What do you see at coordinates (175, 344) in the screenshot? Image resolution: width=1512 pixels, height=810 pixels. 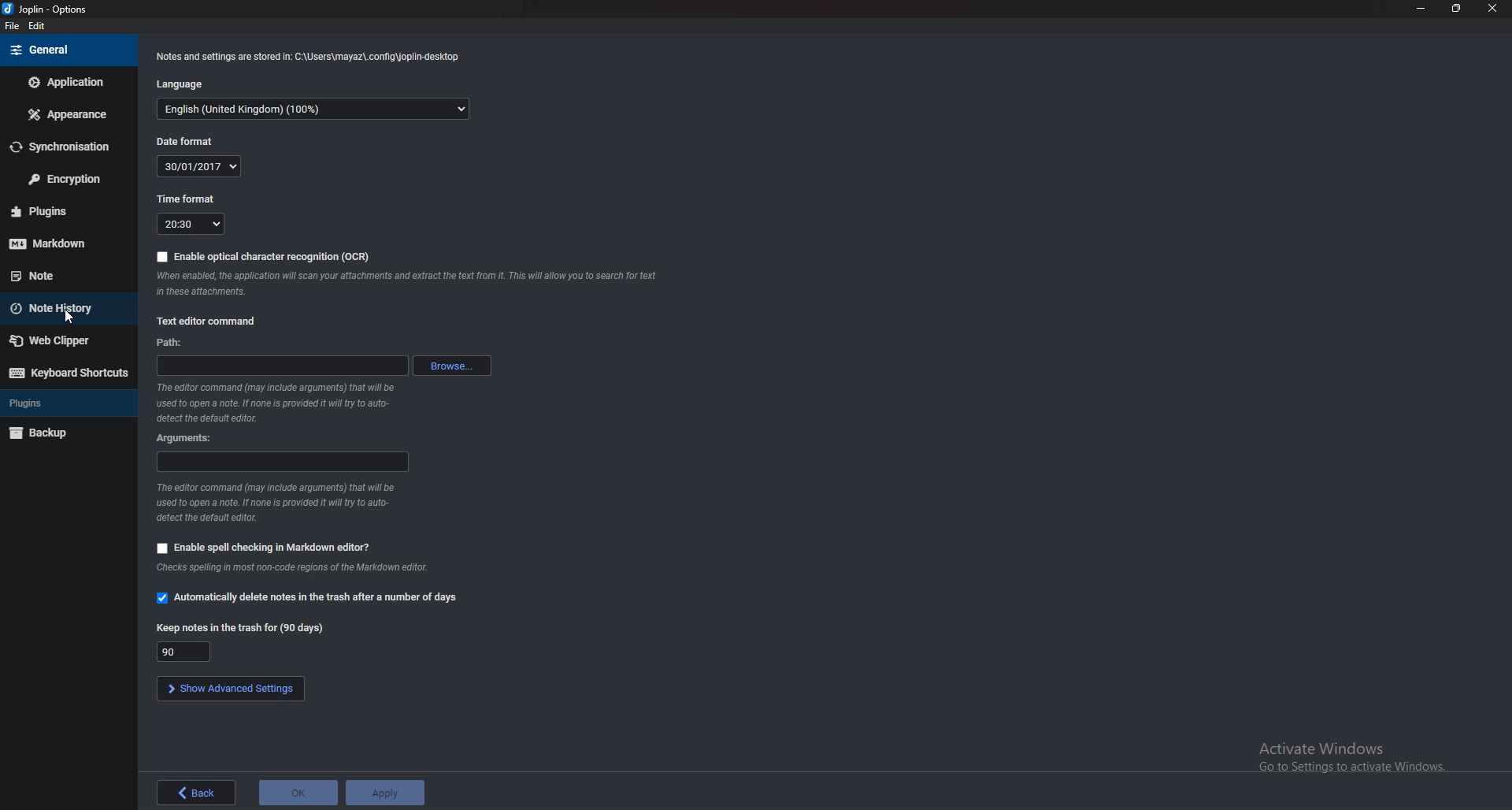 I see `path` at bounding box center [175, 344].